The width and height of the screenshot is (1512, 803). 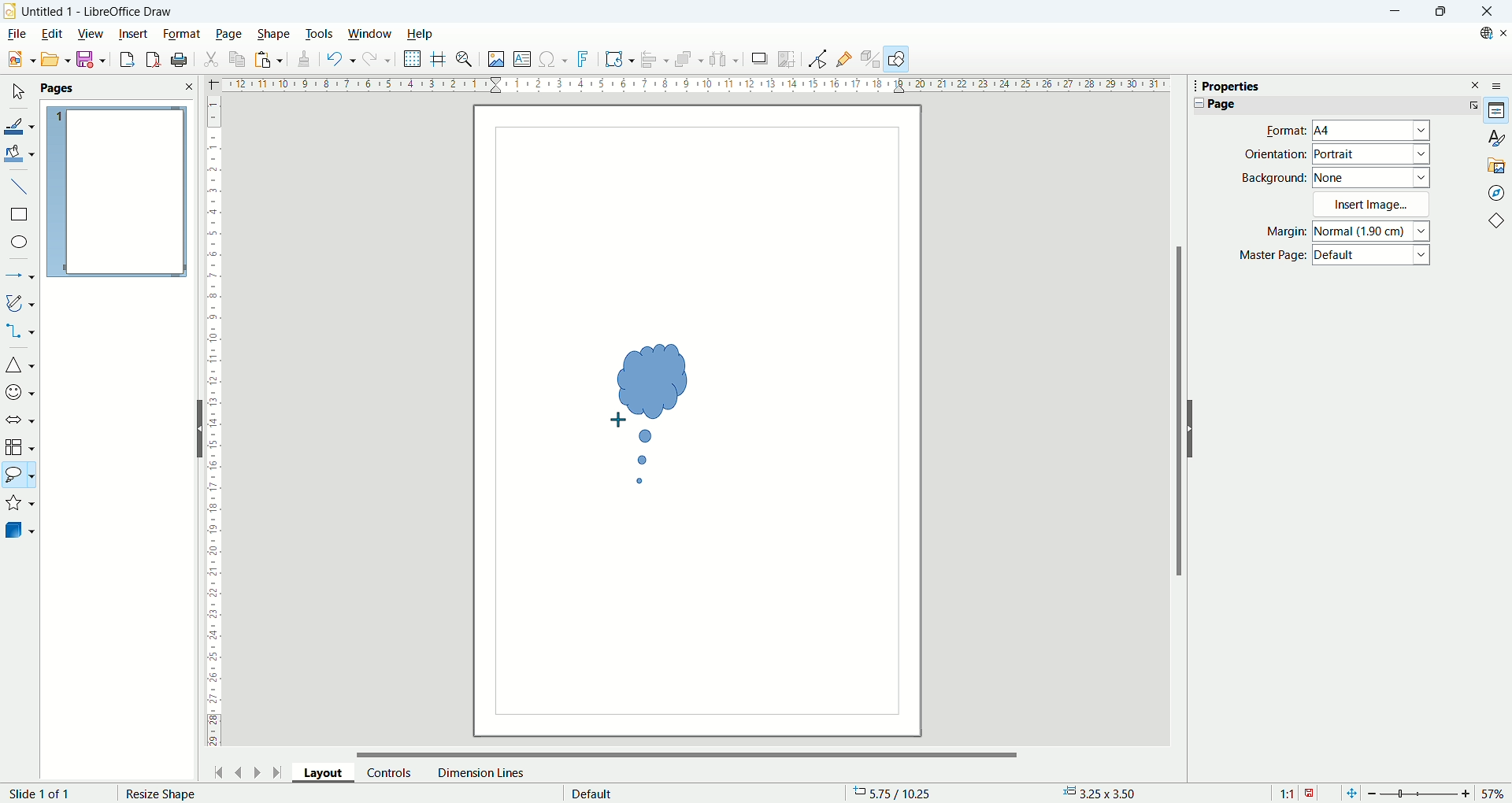 What do you see at coordinates (495, 61) in the screenshot?
I see `insert image` at bounding box center [495, 61].